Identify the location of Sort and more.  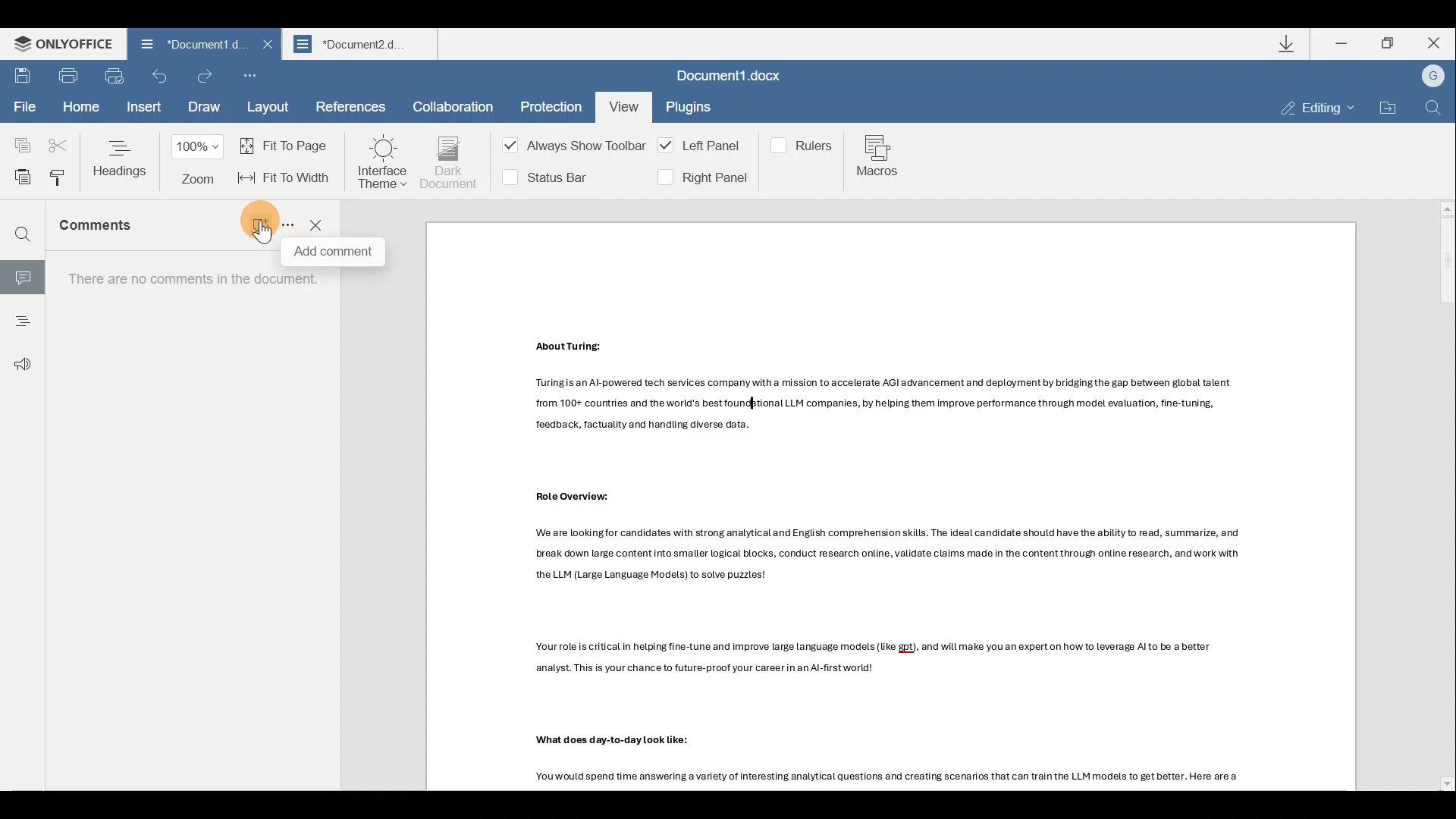
(285, 224).